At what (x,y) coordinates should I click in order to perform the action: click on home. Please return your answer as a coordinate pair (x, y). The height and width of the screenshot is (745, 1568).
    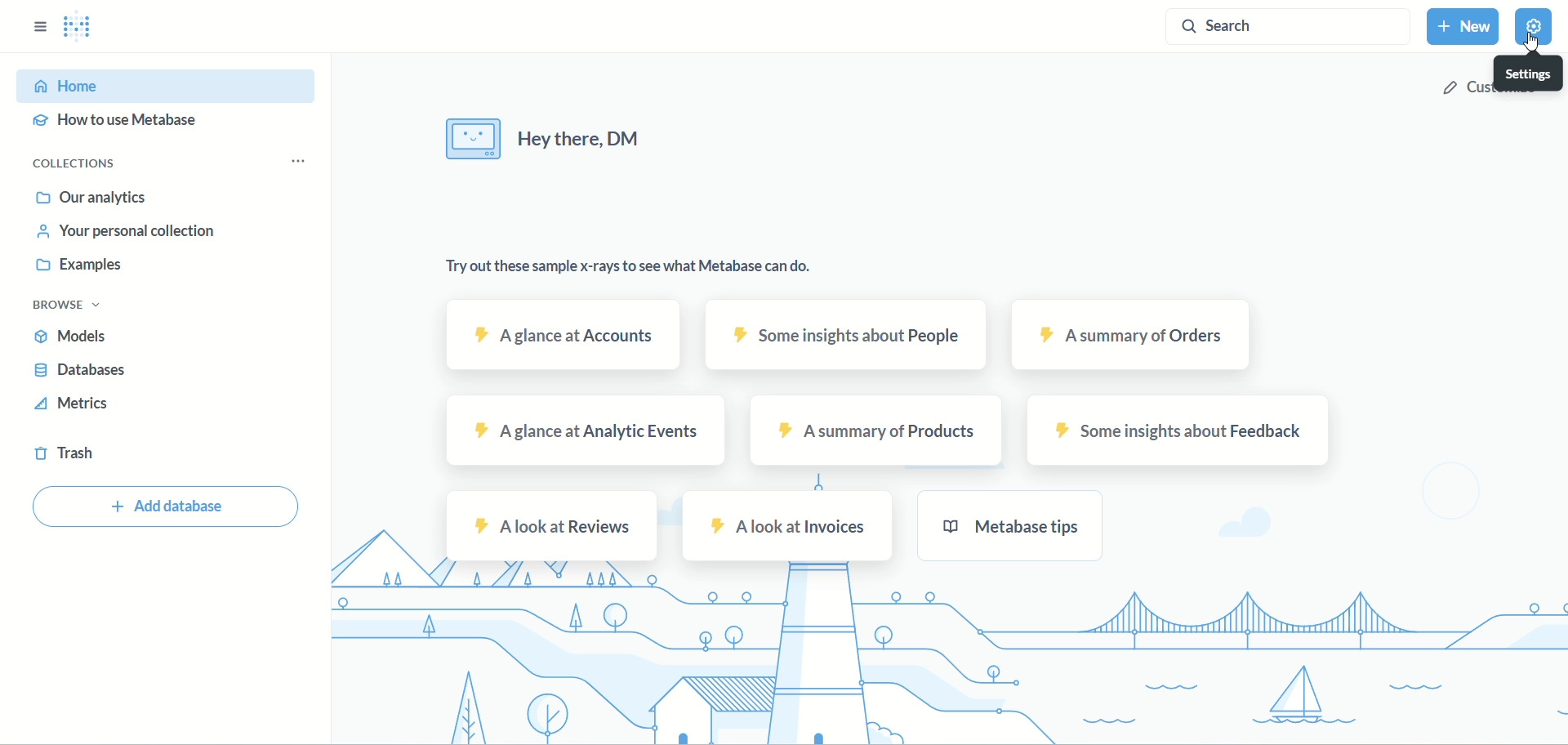
    Looking at the image, I should click on (169, 83).